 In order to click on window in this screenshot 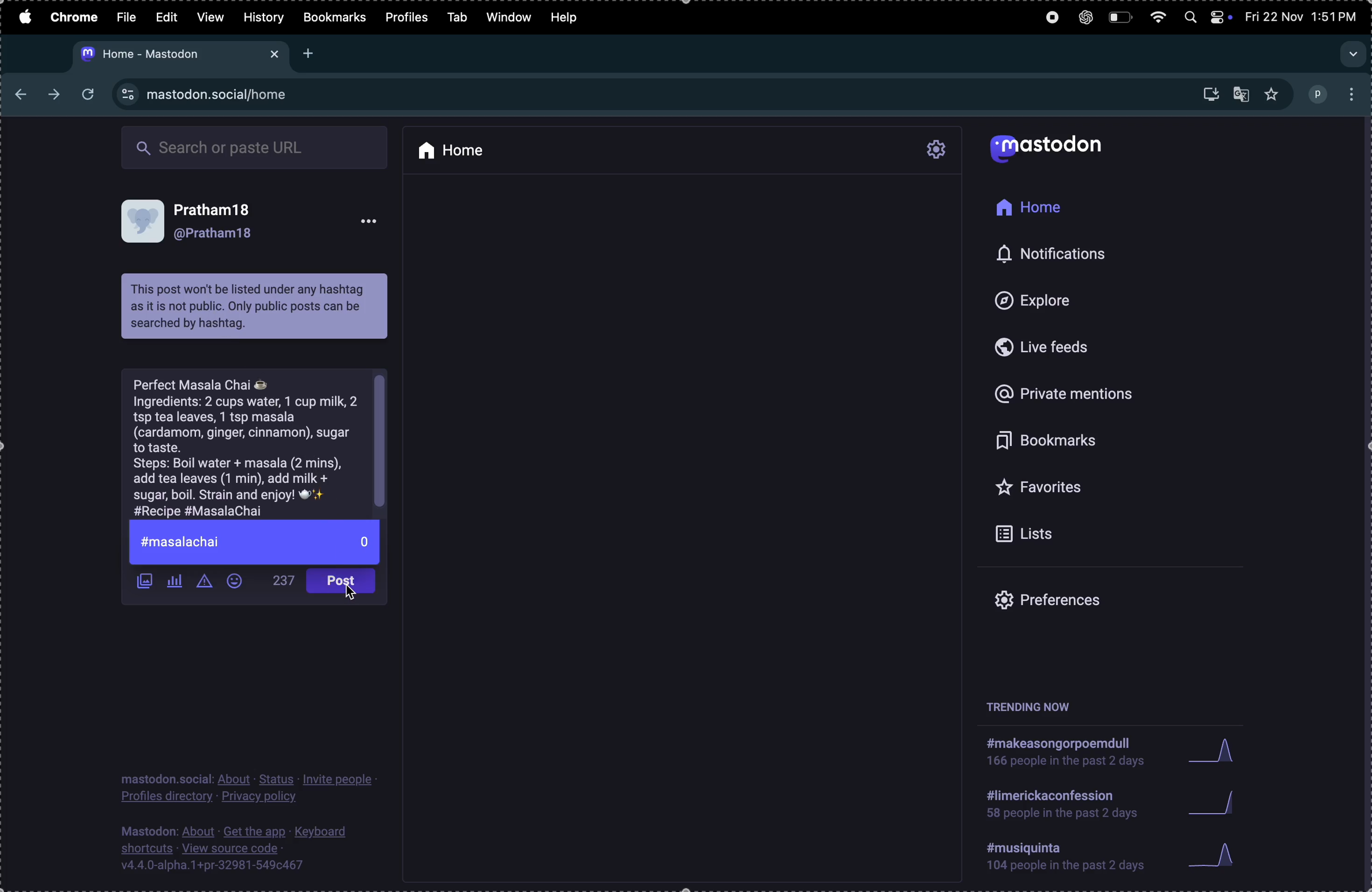, I will do `click(510, 18)`.